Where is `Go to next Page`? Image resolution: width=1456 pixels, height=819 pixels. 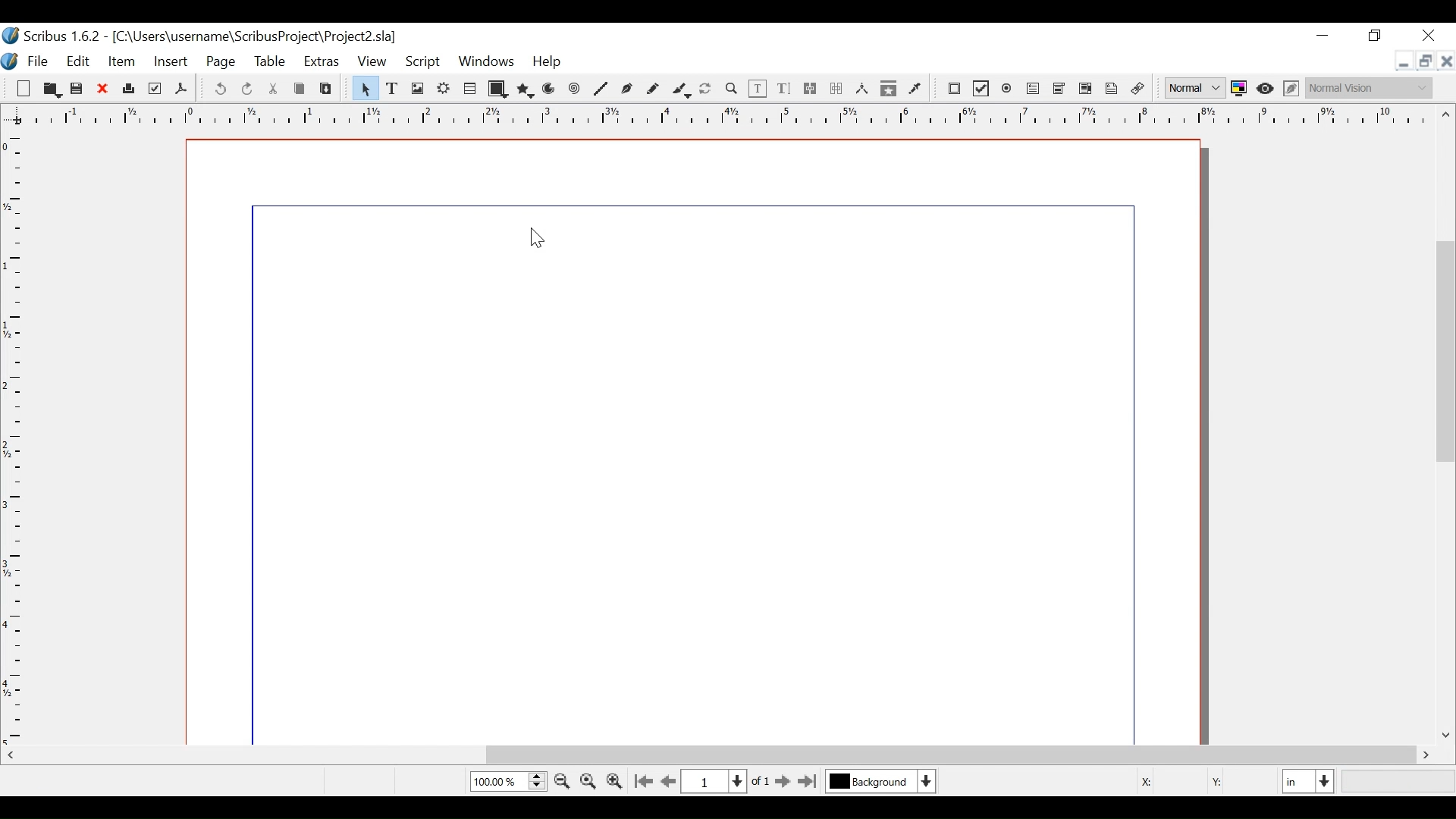 Go to next Page is located at coordinates (780, 783).